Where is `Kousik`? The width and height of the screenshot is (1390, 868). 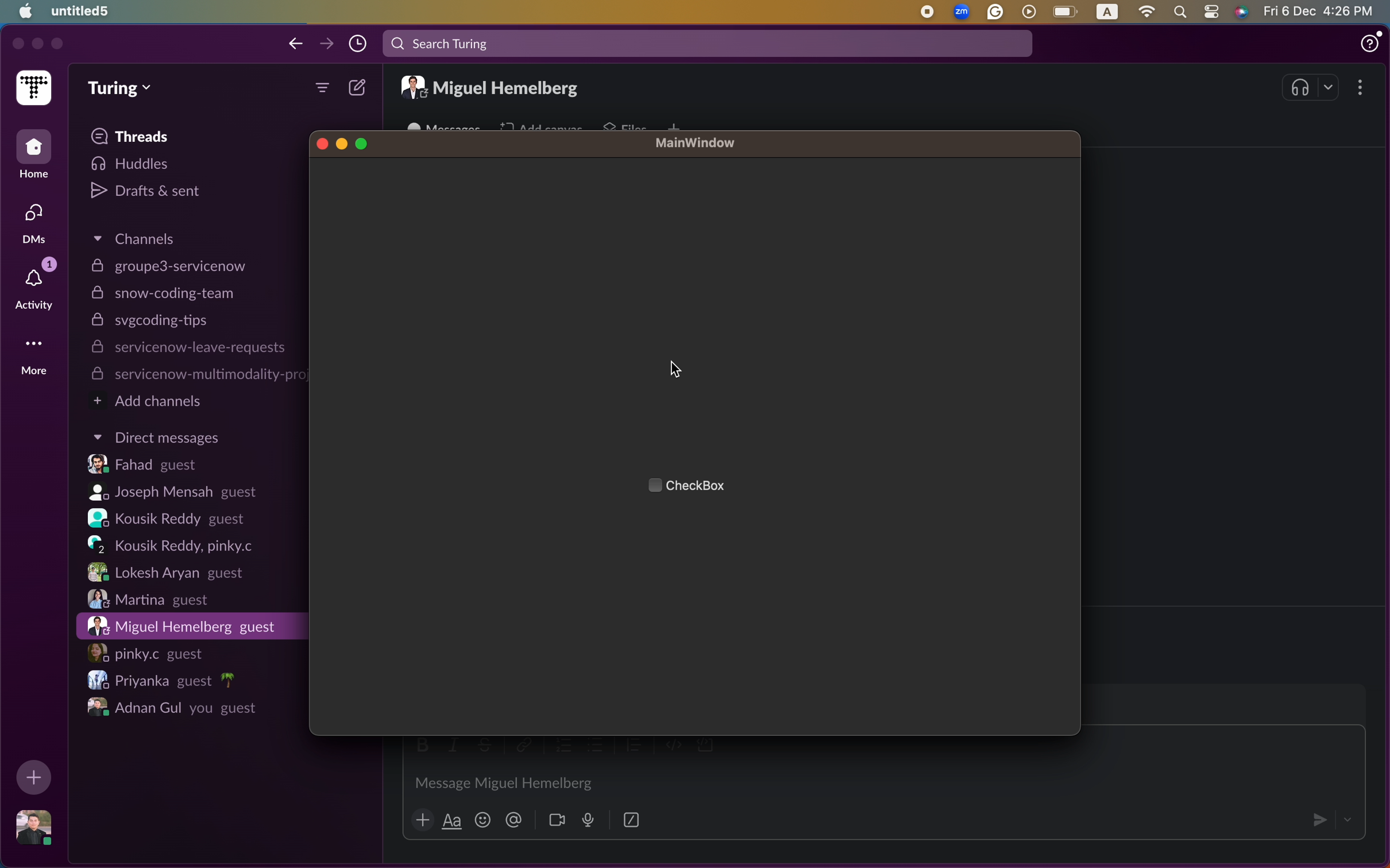 Kousik is located at coordinates (175, 545).